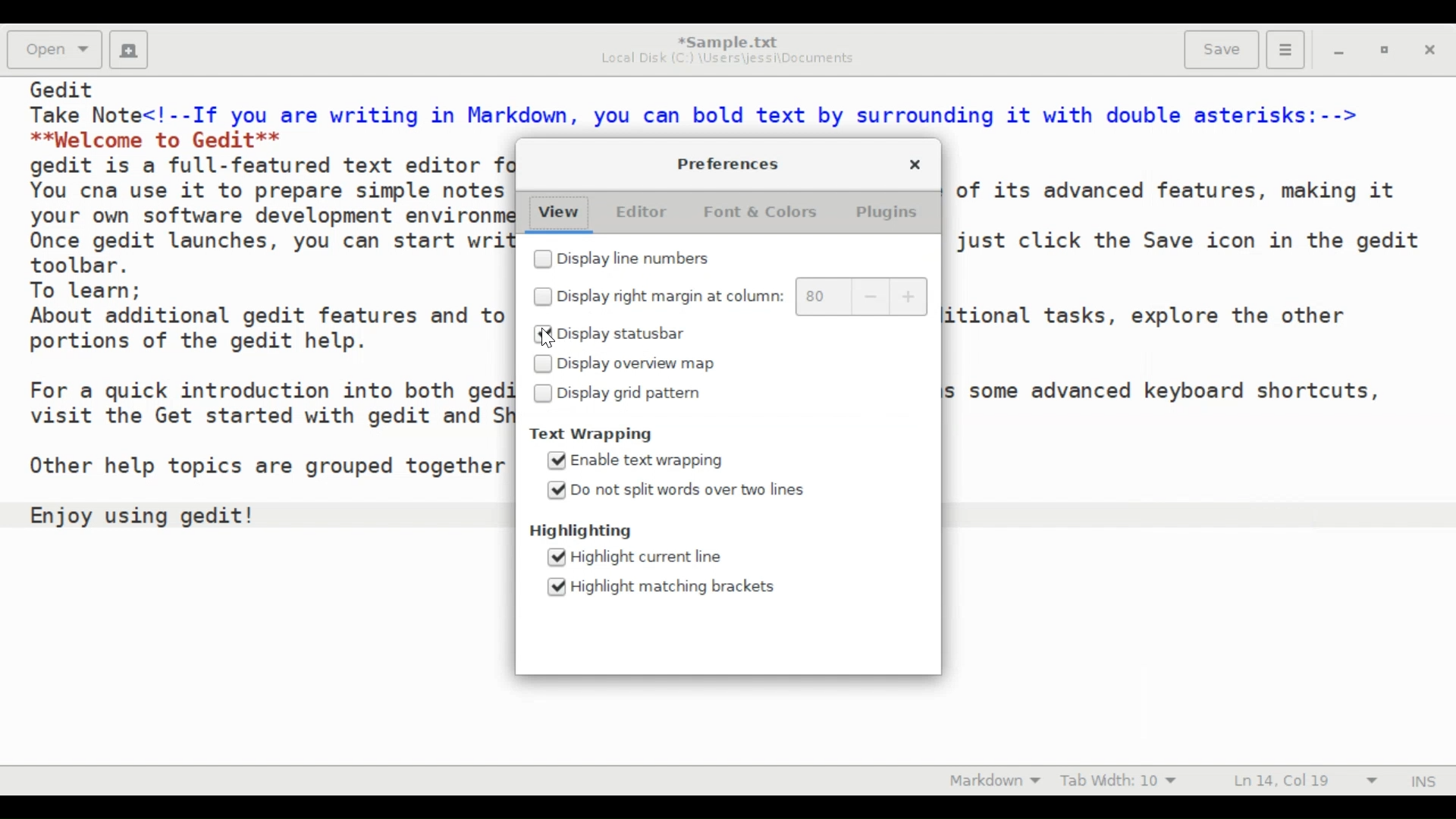  What do you see at coordinates (629, 365) in the screenshot?
I see `(un)select Display overview map` at bounding box center [629, 365].